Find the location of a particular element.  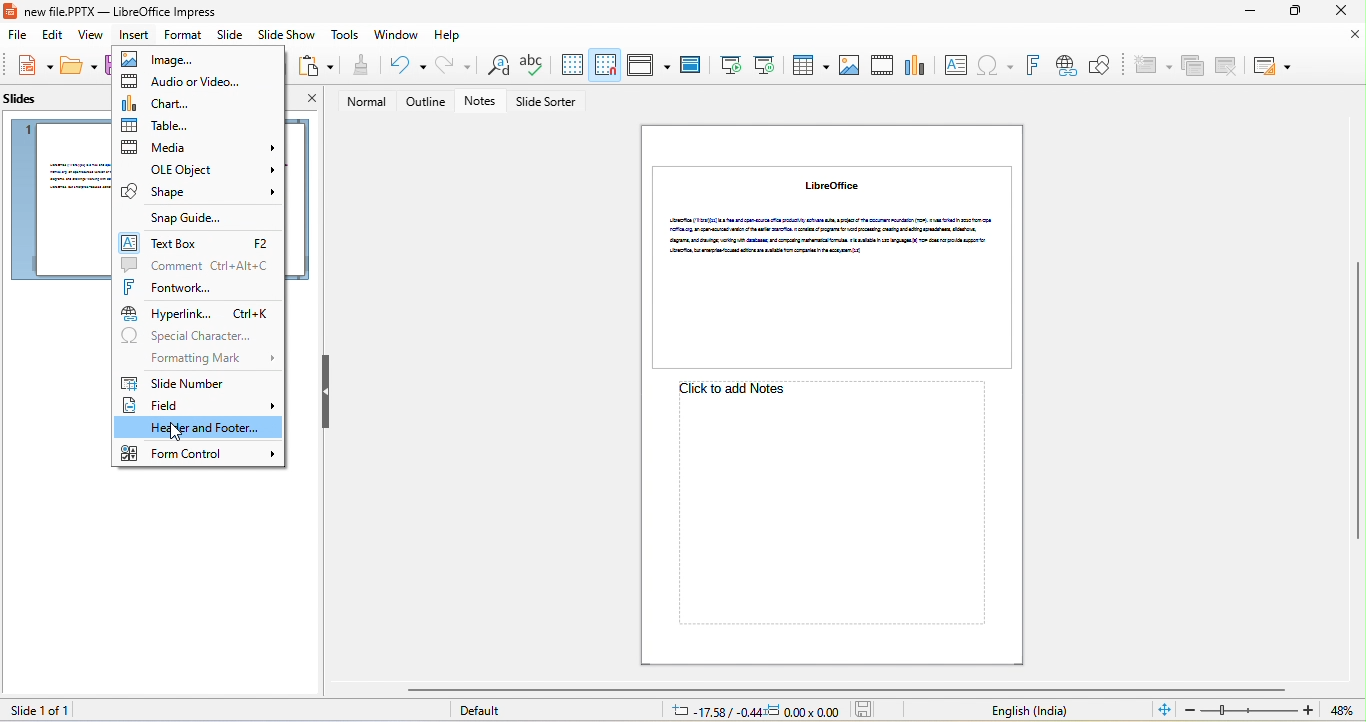

tools is located at coordinates (347, 36).